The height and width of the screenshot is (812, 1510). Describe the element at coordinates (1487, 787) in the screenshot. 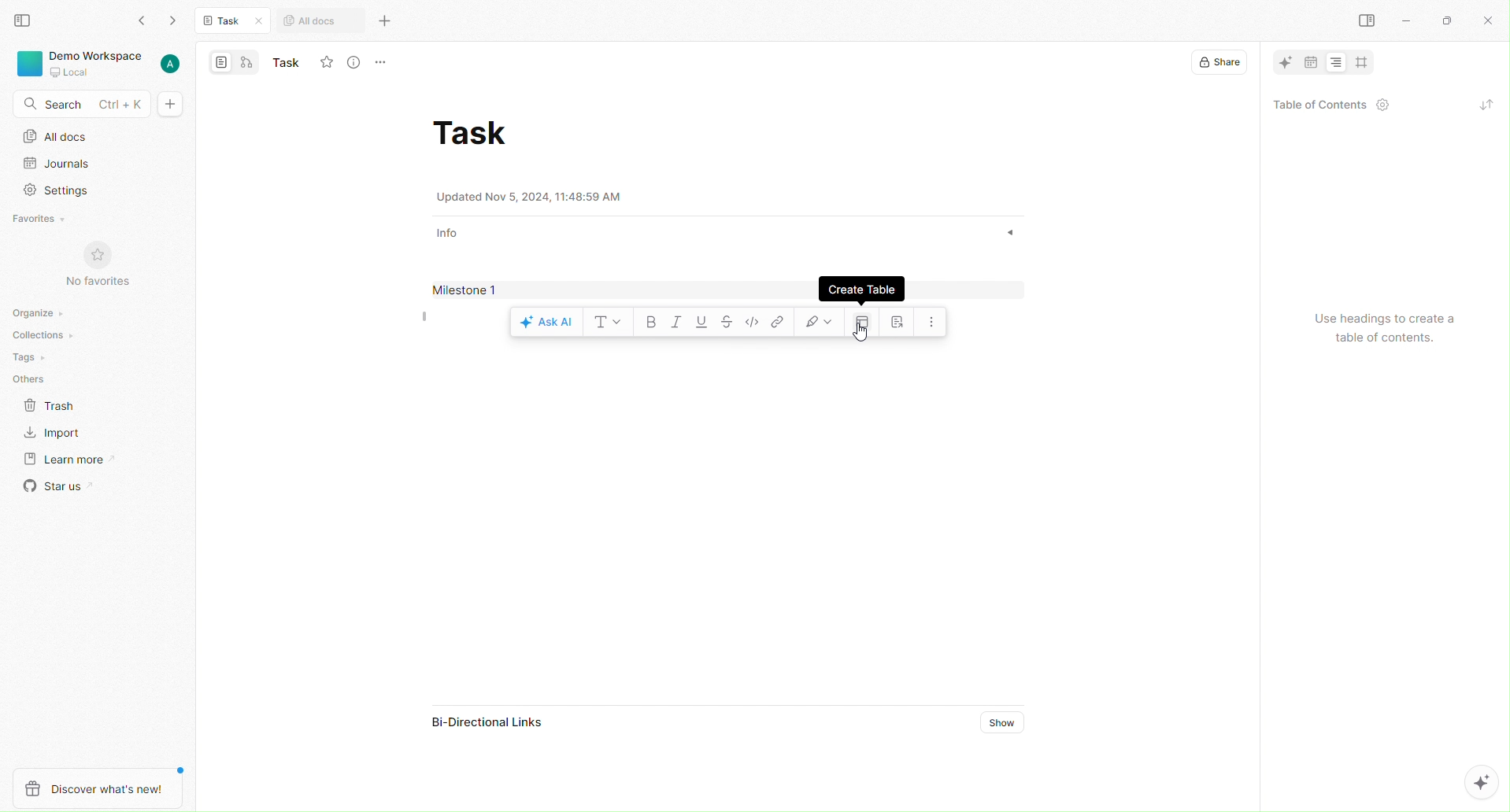

I see `AI options` at that location.